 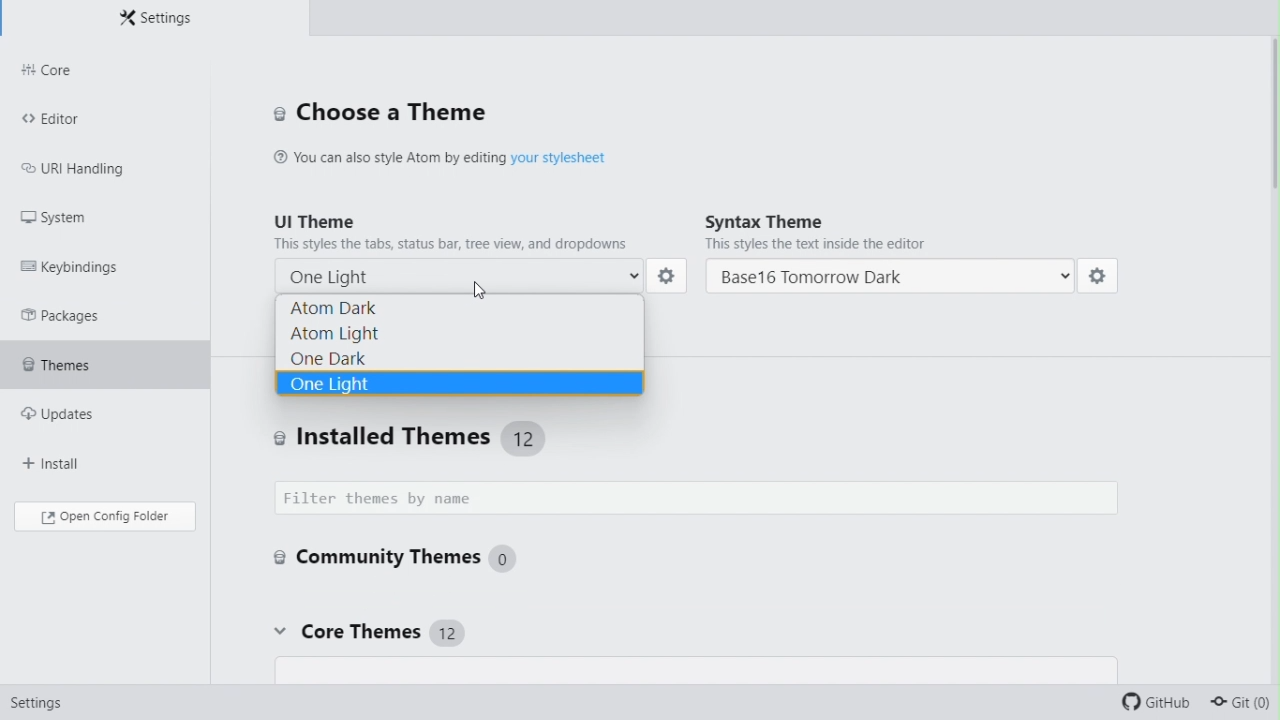 What do you see at coordinates (483, 291) in the screenshot?
I see `cursor` at bounding box center [483, 291].